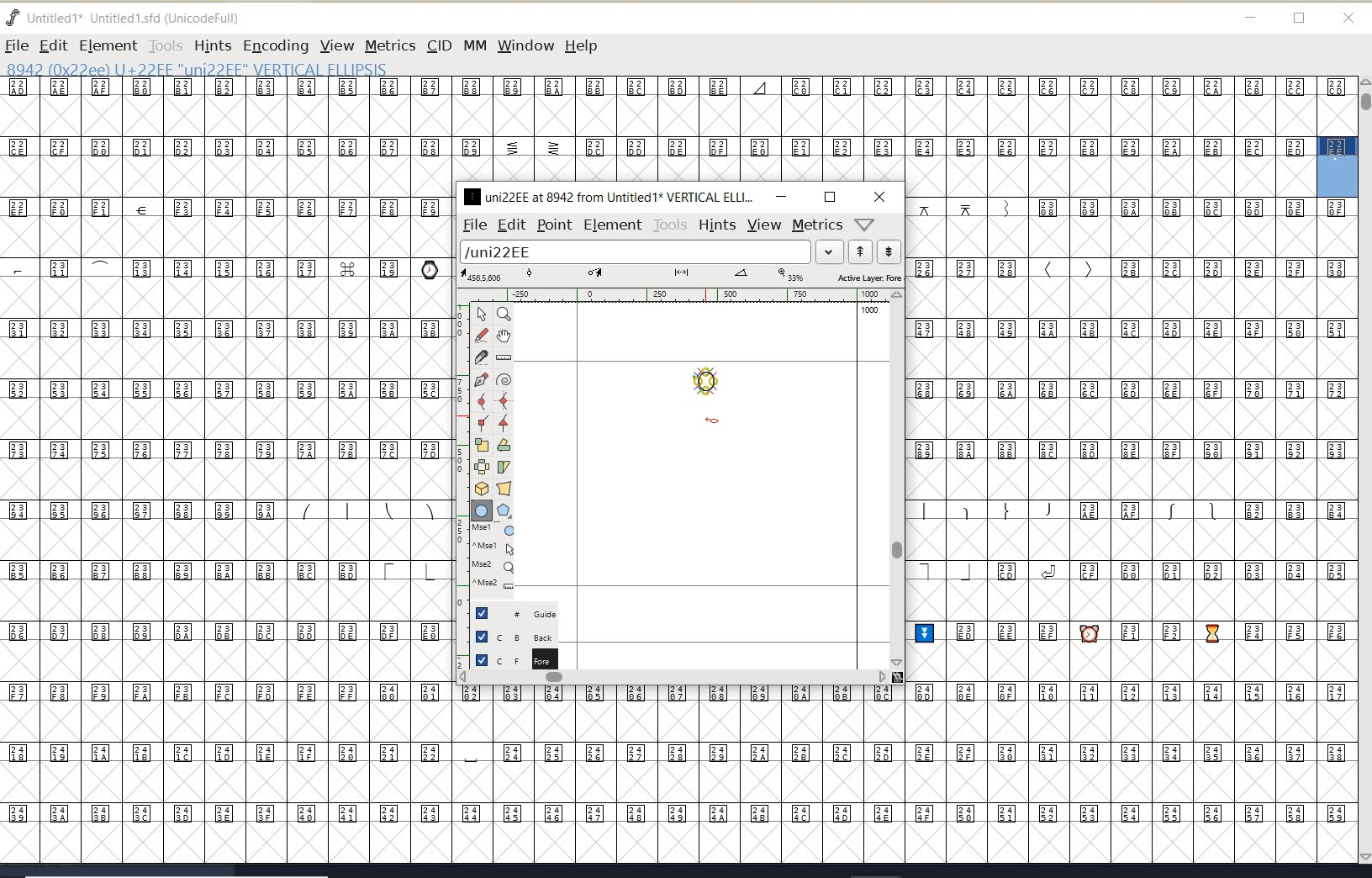 The image size is (1372, 878). Describe the element at coordinates (13, 18) in the screenshot. I see `fontforge logo` at that location.